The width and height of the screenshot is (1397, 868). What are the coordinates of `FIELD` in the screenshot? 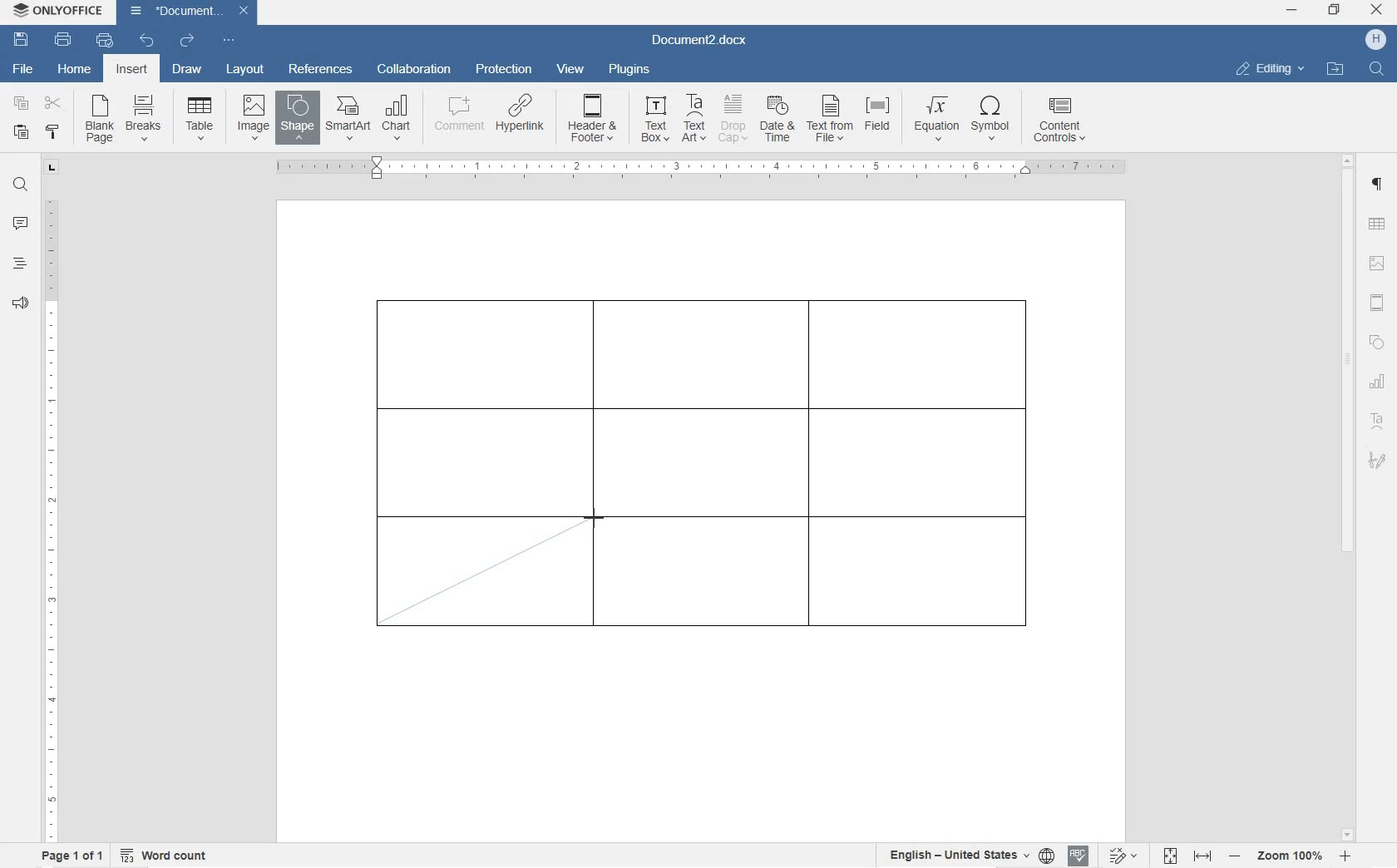 It's located at (881, 121).